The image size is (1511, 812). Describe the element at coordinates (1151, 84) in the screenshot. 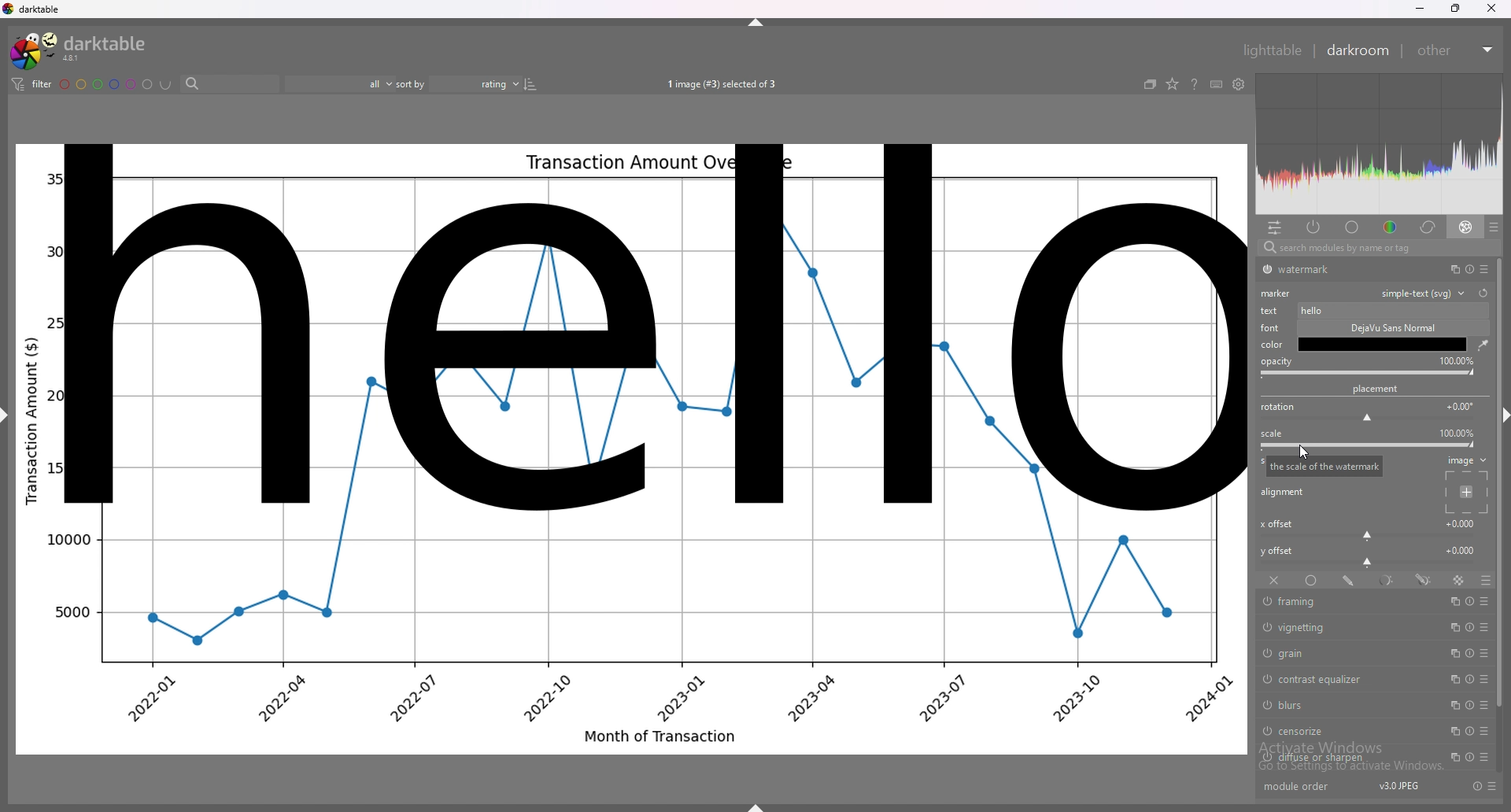

I see `create grouped images` at that location.